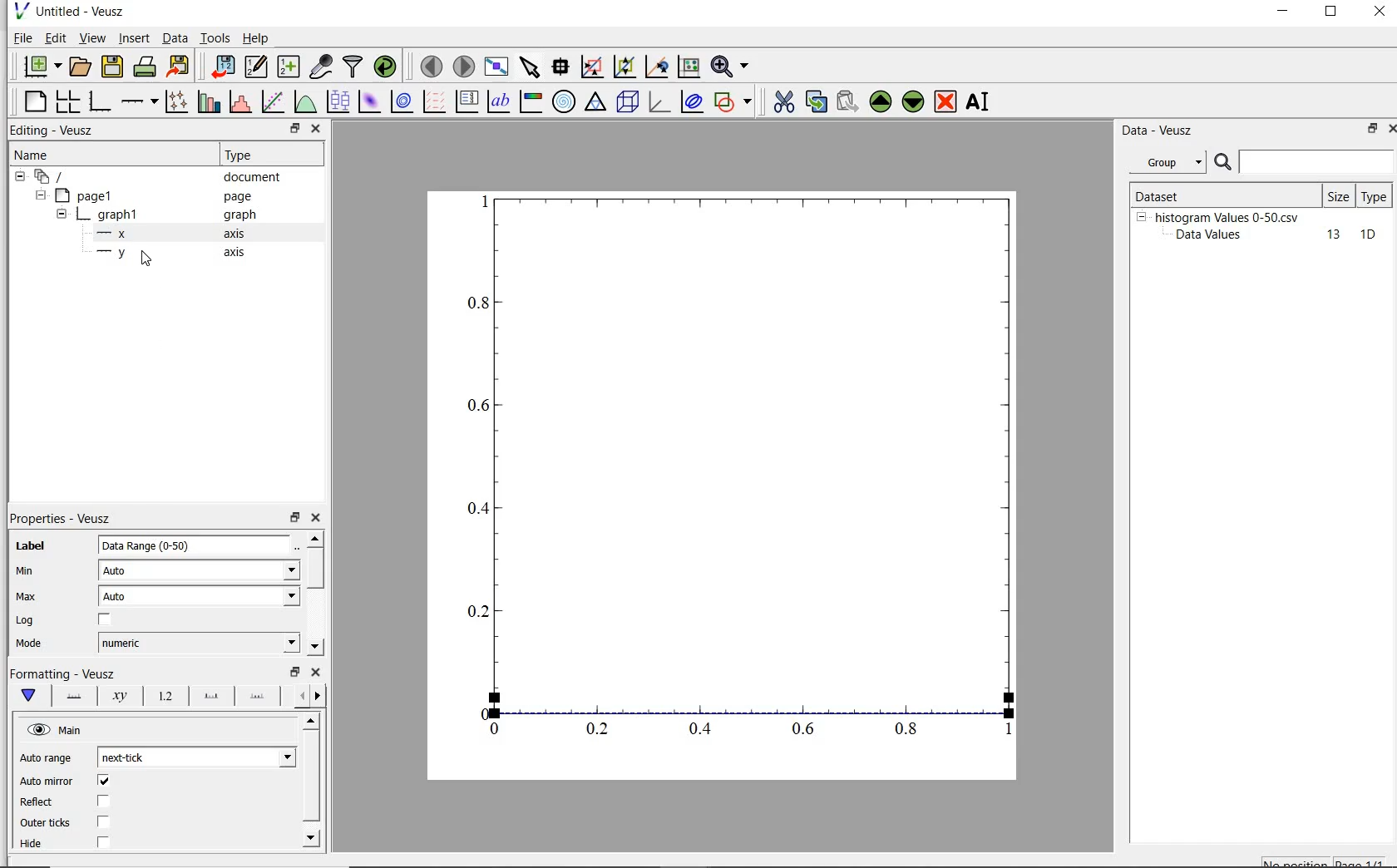  Describe the element at coordinates (70, 99) in the screenshot. I see `arrange graphs in a grid ` at that location.